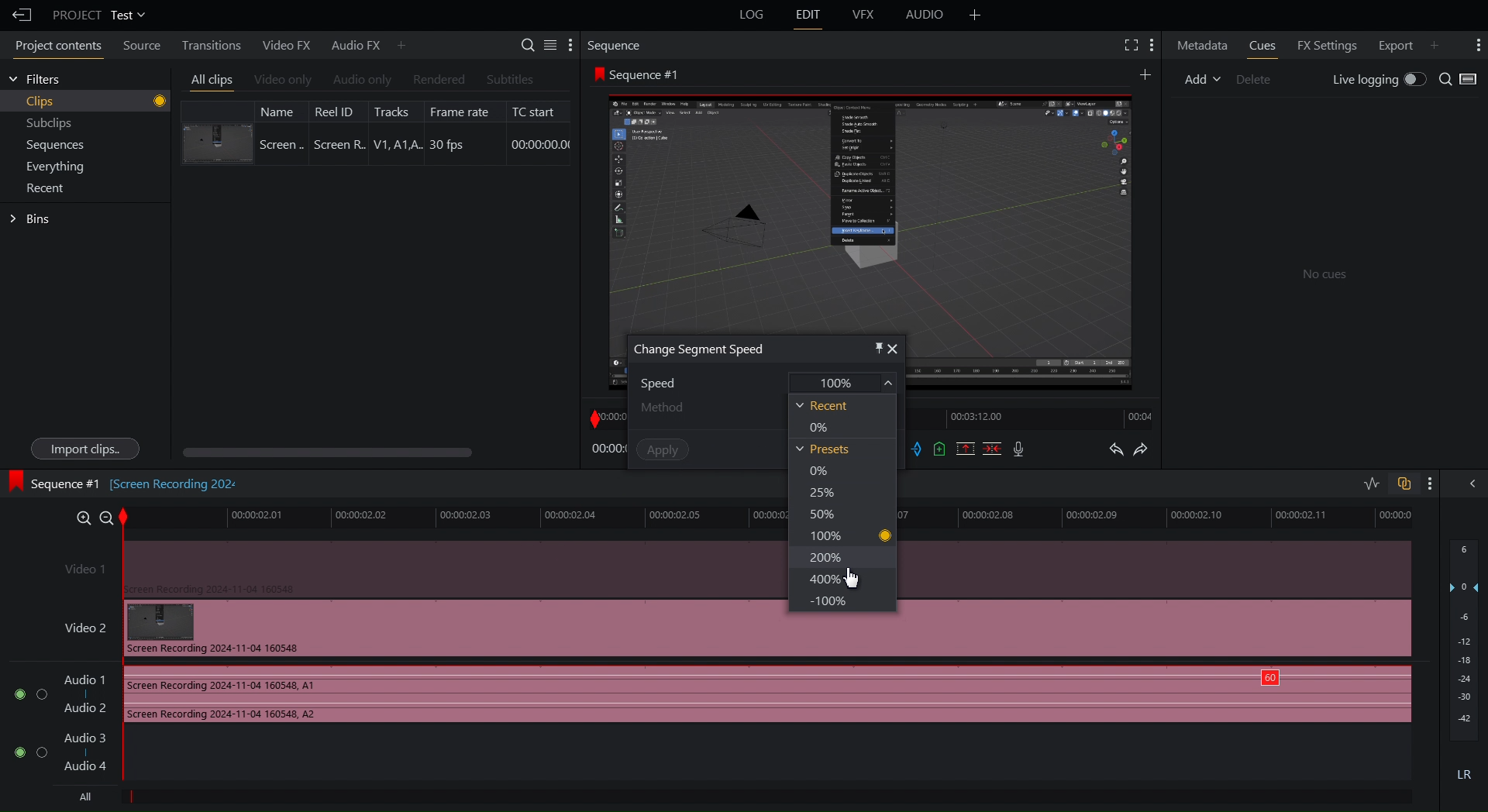 Image resolution: width=1488 pixels, height=812 pixels. What do you see at coordinates (822, 449) in the screenshot?
I see `Presets` at bounding box center [822, 449].